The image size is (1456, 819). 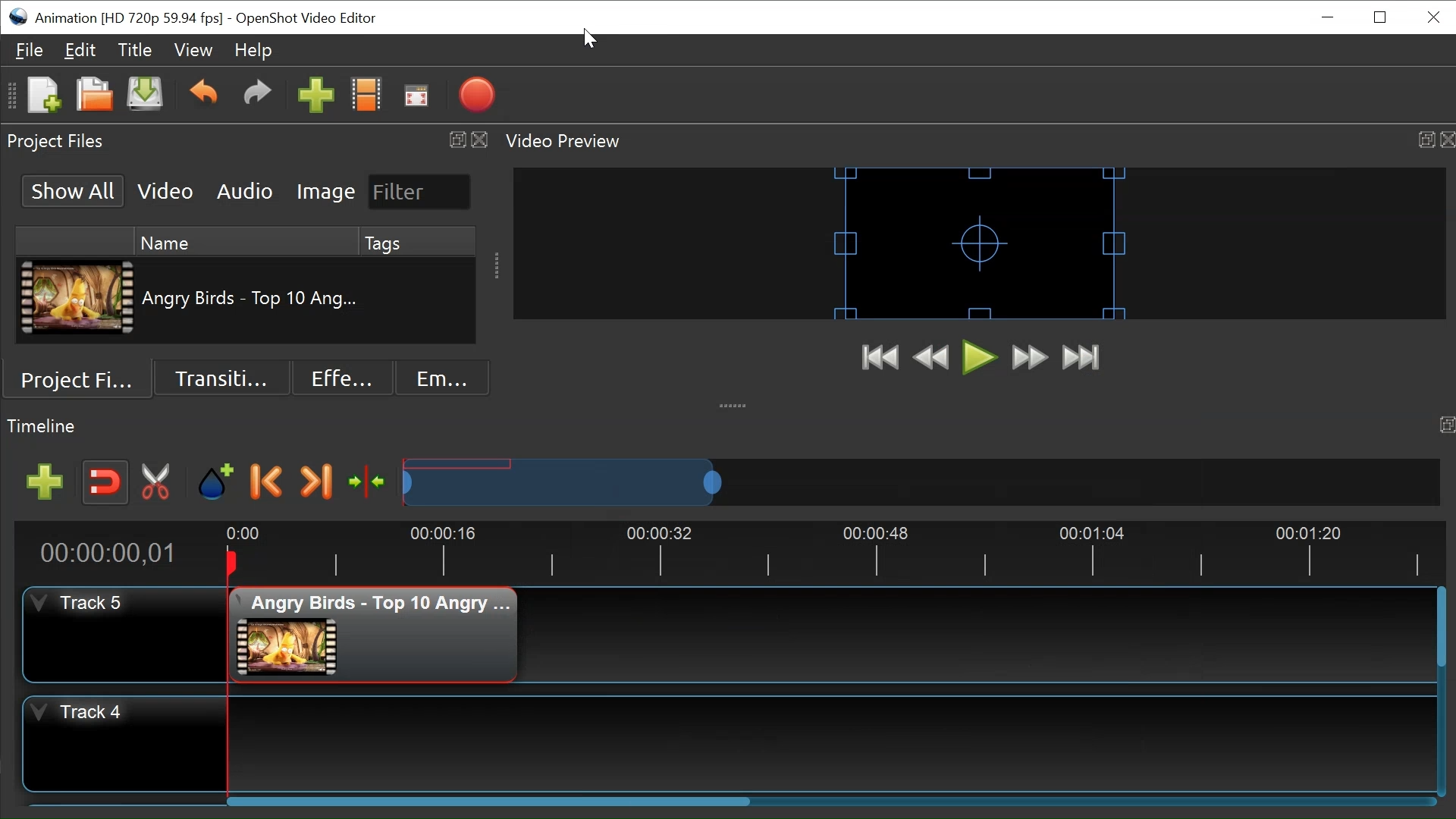 What do you see at coordinates (71, 190) in the screenshot?
I see `Show All` at bounding box center [71, 190].